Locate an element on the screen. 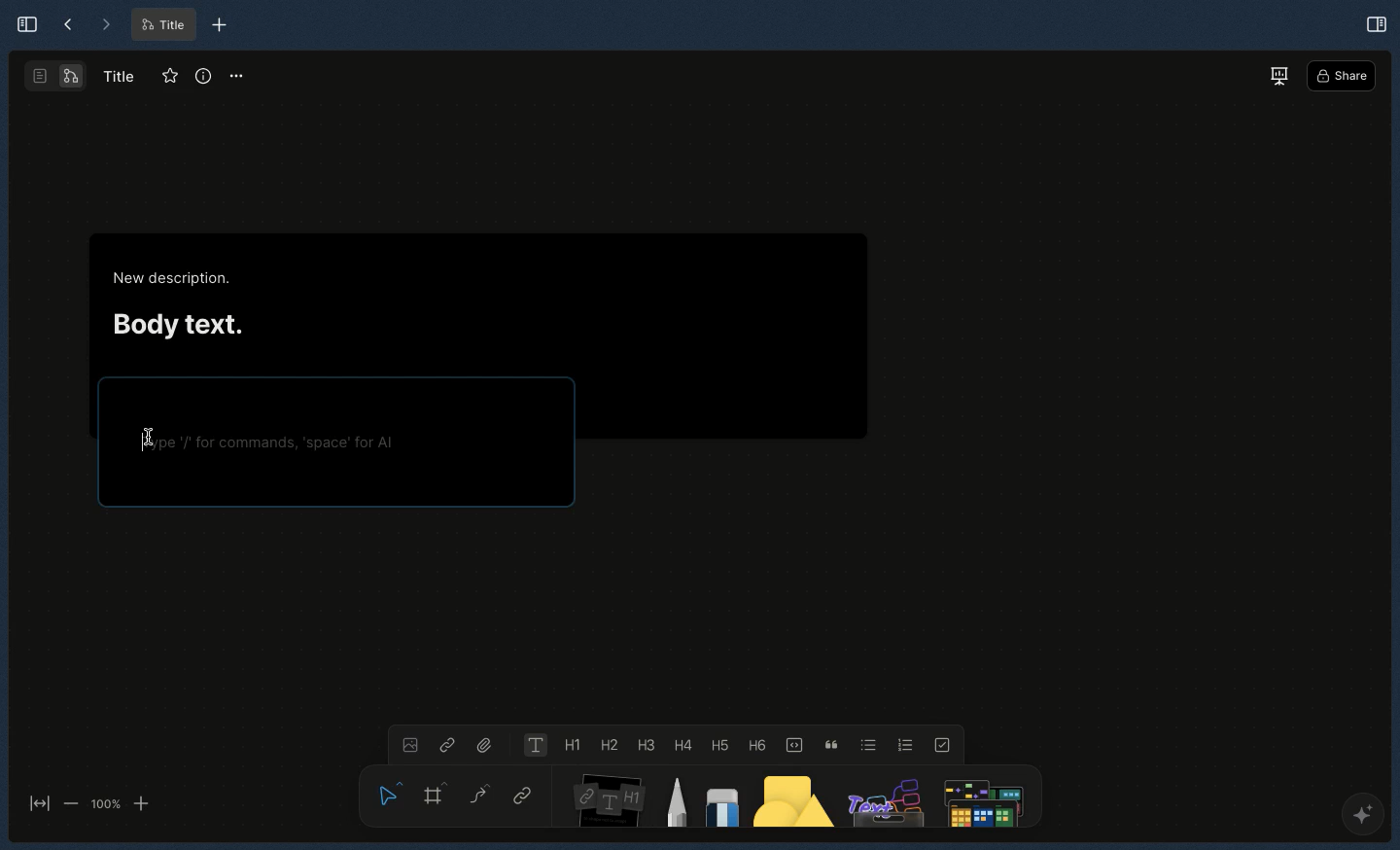  Second layout is located at coordinates (57, 76).